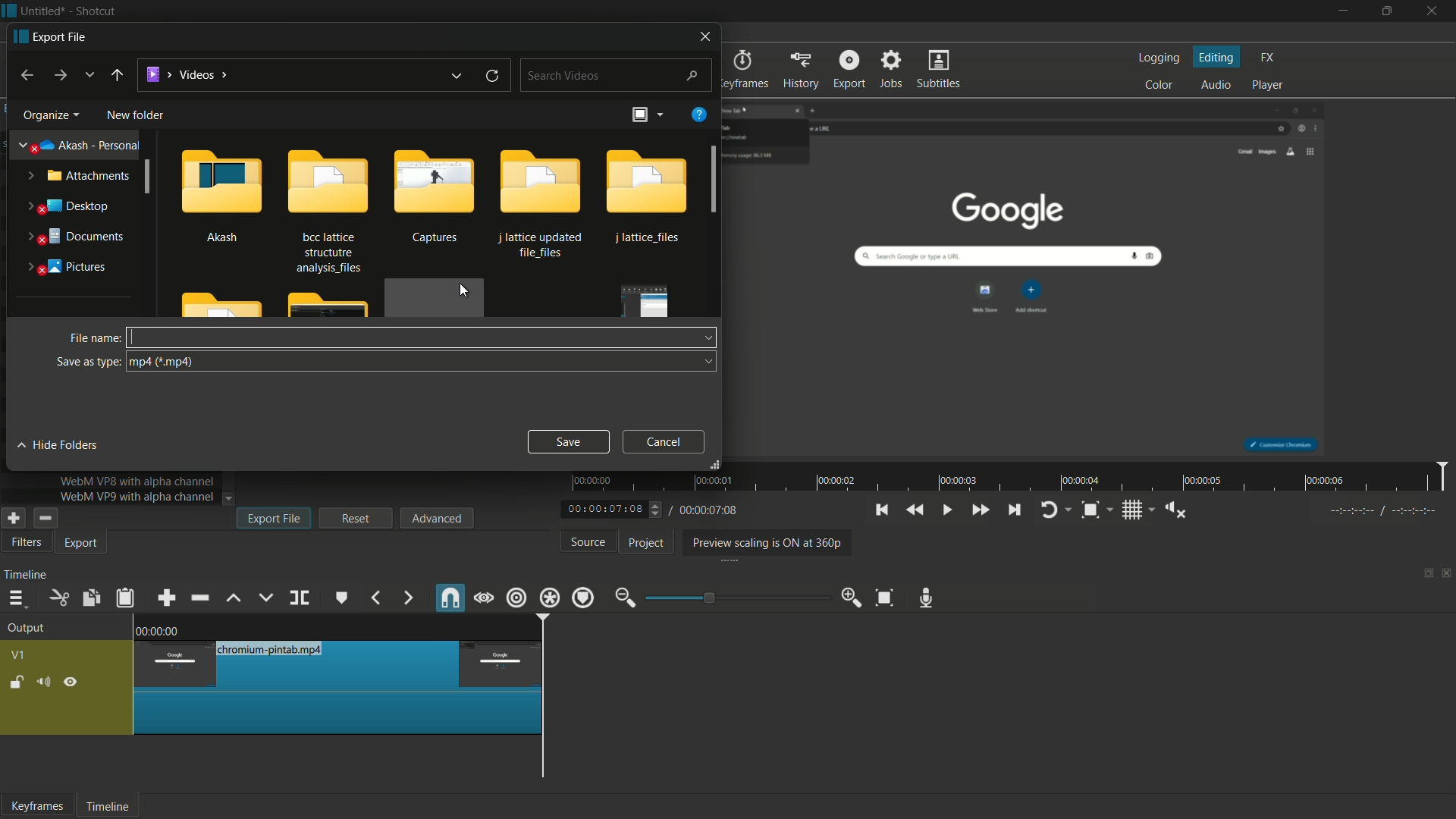  I want to click on preview scaling is on at 360p, so click(764, 544).